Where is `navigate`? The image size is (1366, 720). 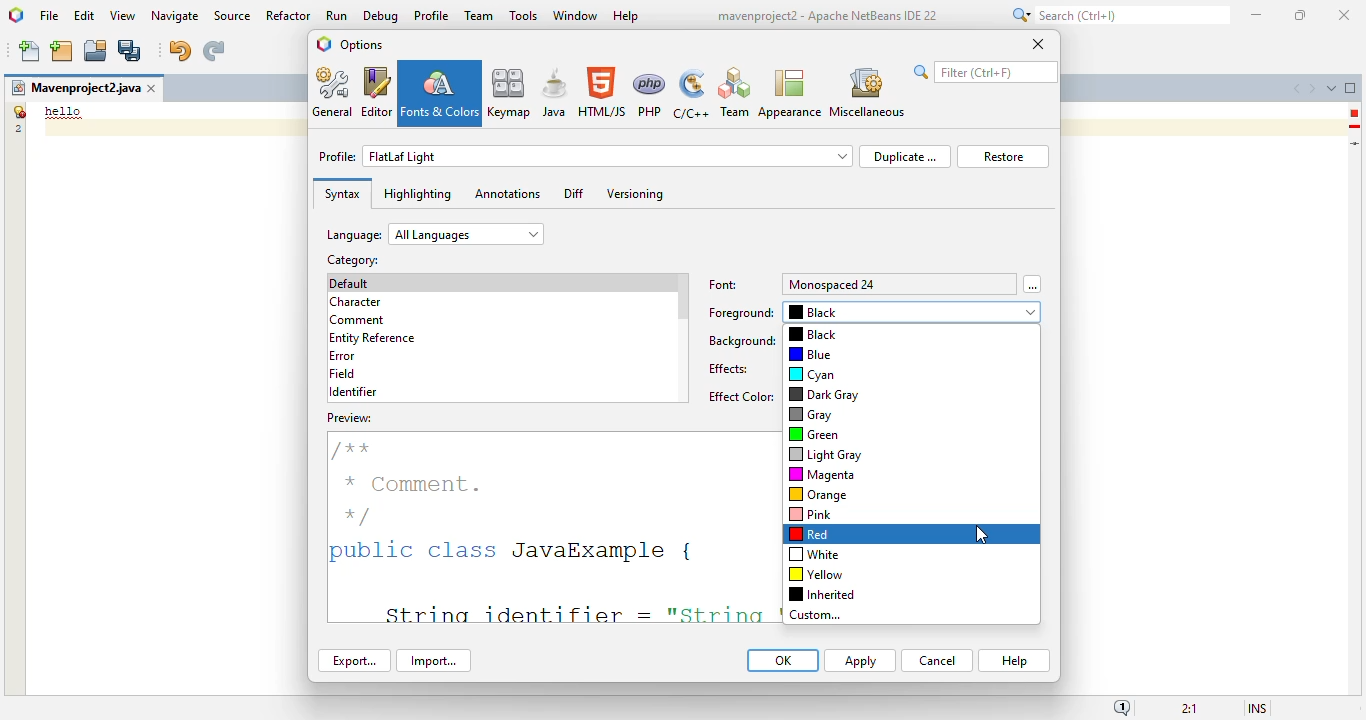
navigate is located at coordinates (176, 16).